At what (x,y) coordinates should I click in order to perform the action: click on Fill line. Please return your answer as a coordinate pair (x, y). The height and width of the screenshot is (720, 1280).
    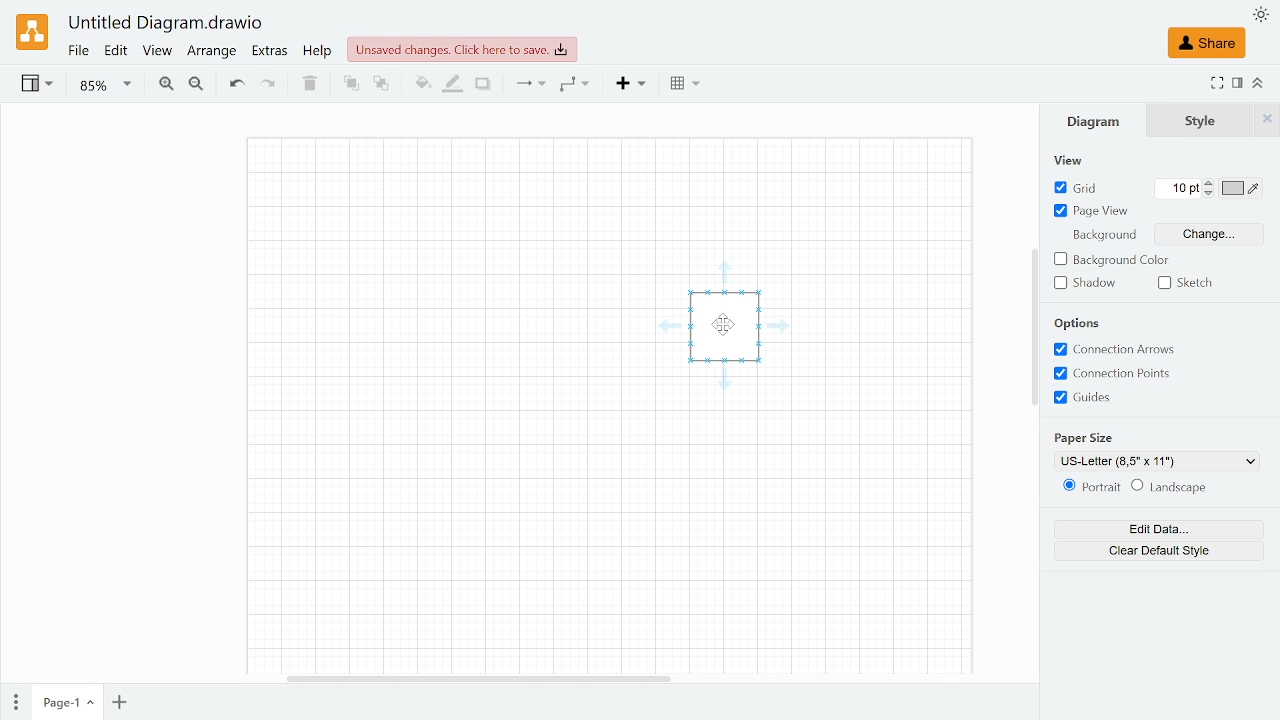
    Looking at the image, I should click on (454, 84).